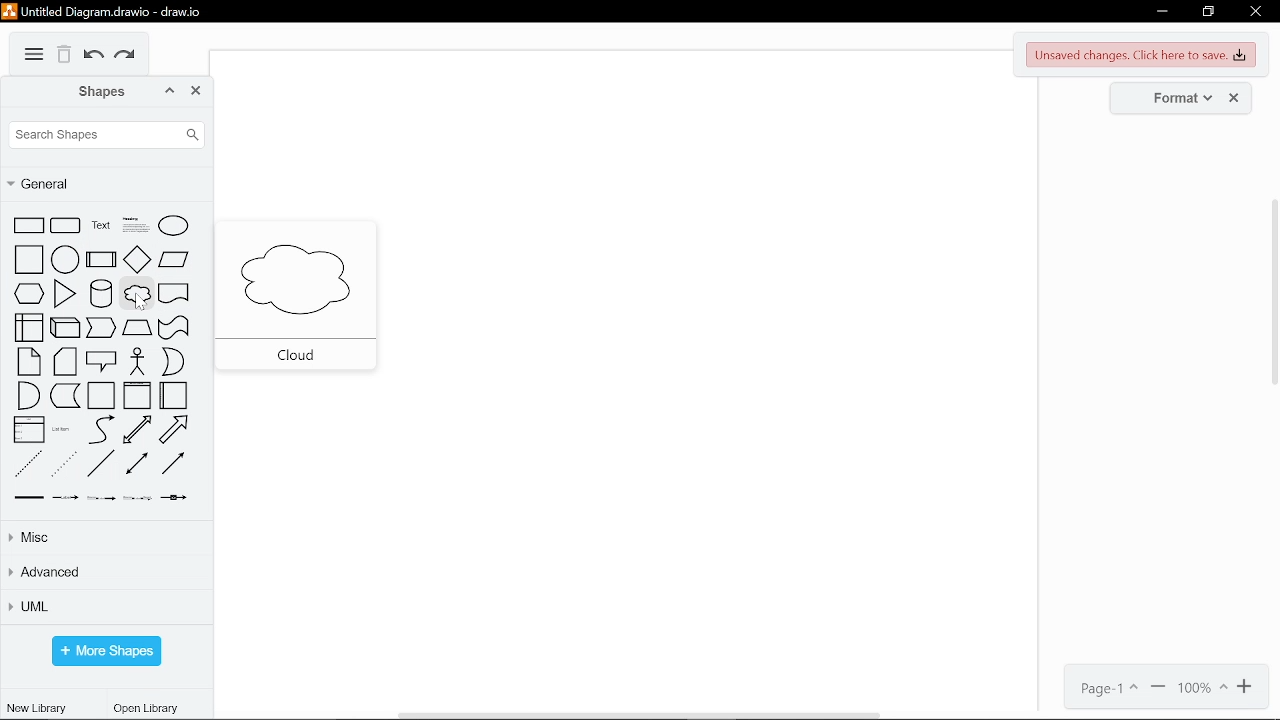 This screenshot has width=1280, height=720. What do you see at coordinates (173, 362) in the screenshot?
I see `or` at bounding box center [173, 362].